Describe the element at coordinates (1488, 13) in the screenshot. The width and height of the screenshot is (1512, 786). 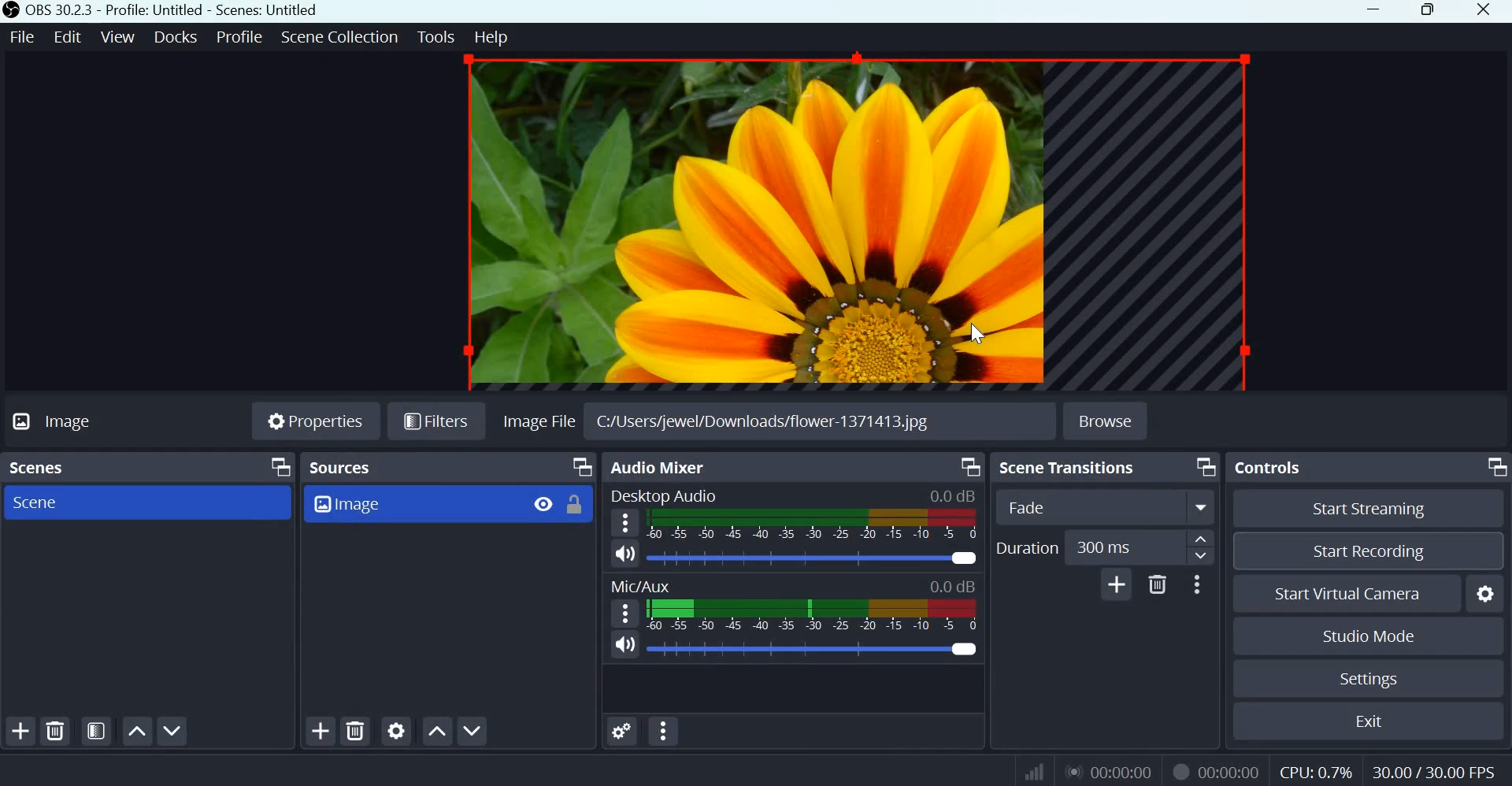
I see `close` at that location.